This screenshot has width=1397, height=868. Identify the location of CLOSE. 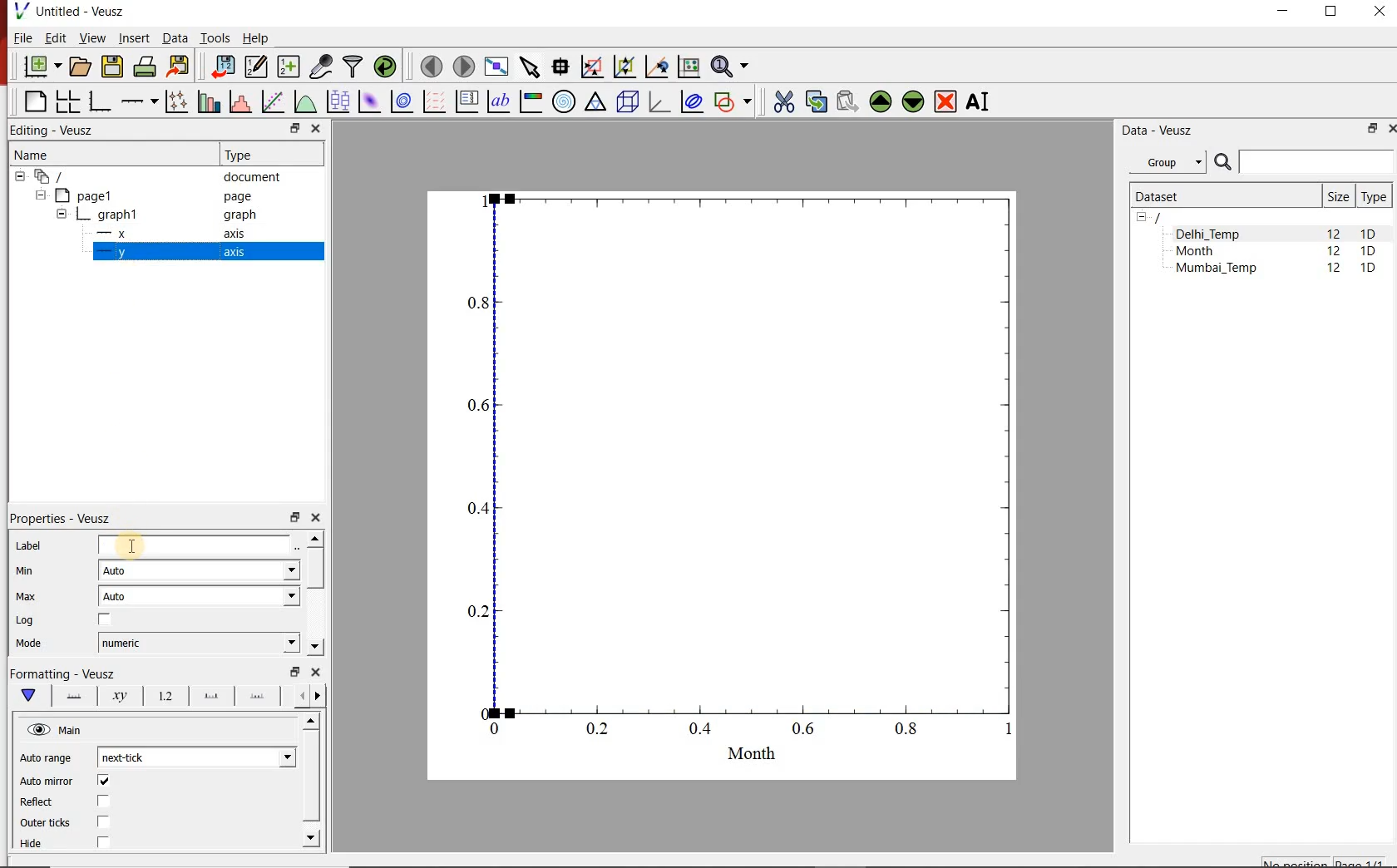
(1377, 11).